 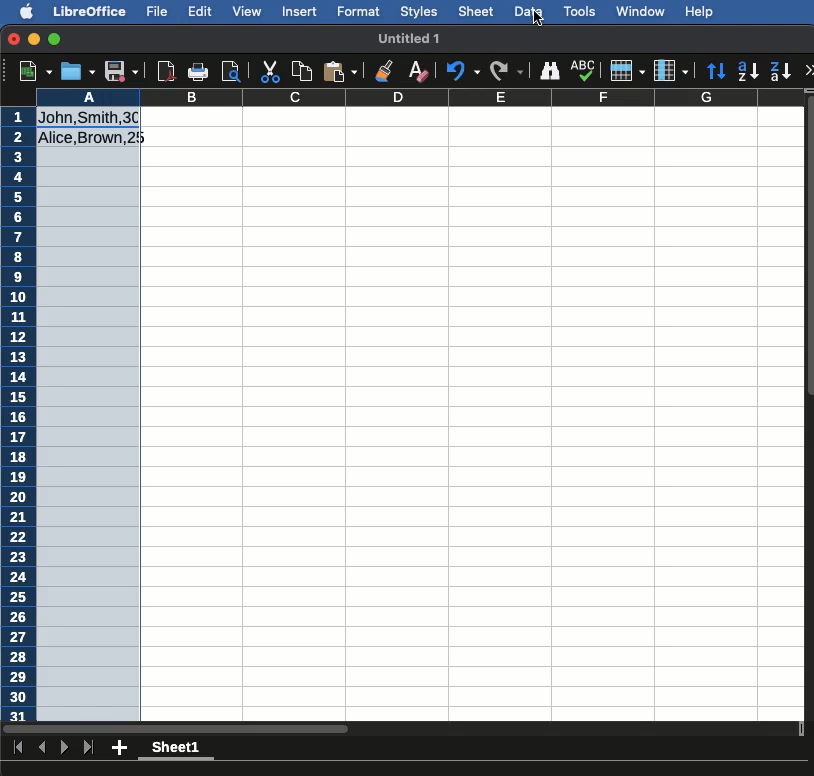 What do you see at coordinates (42, 746) in the screenshot?
I see `Previous sheet` at bounding box center [42, 746].